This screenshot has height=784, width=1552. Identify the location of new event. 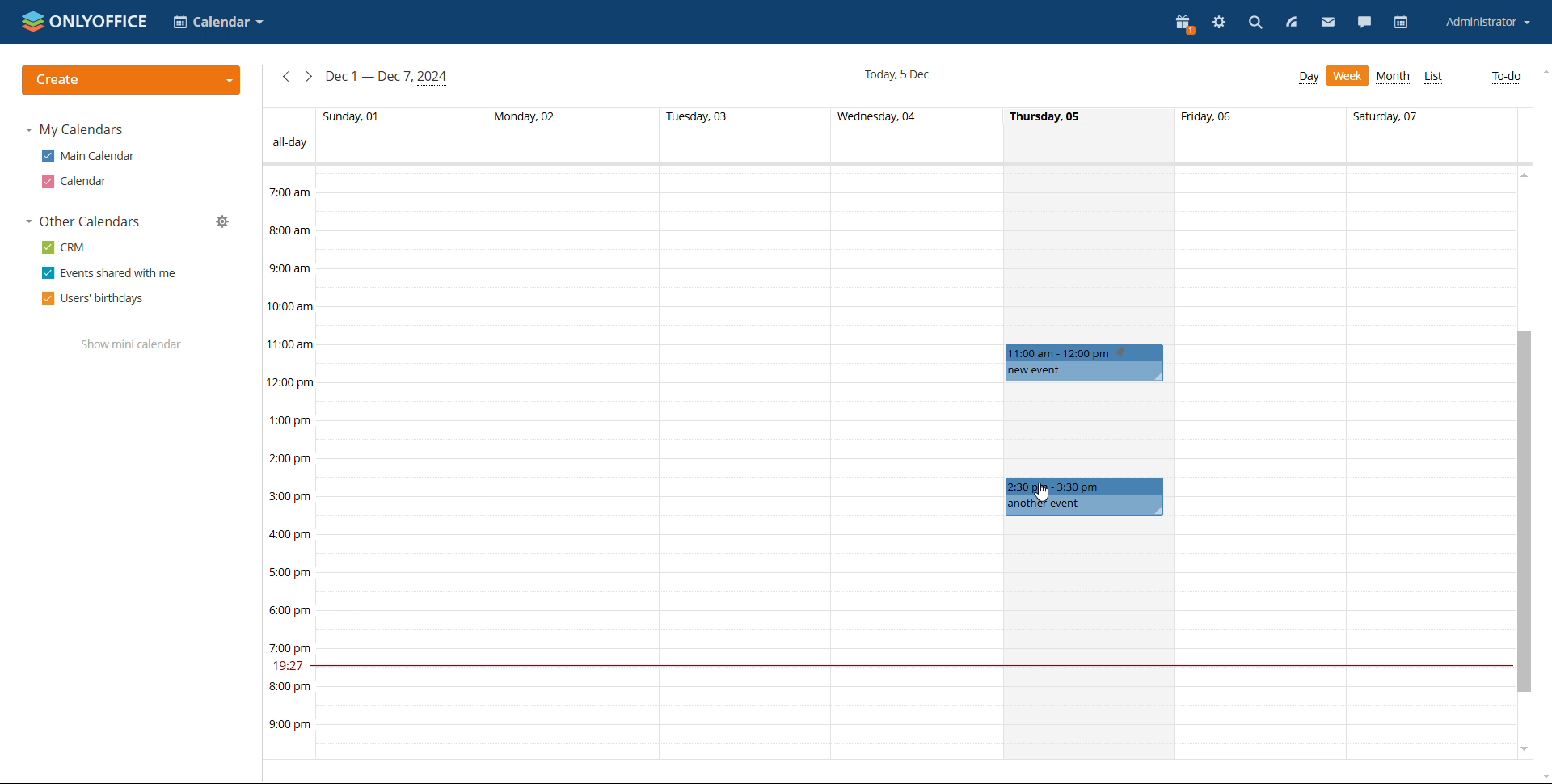
(1083, 372).